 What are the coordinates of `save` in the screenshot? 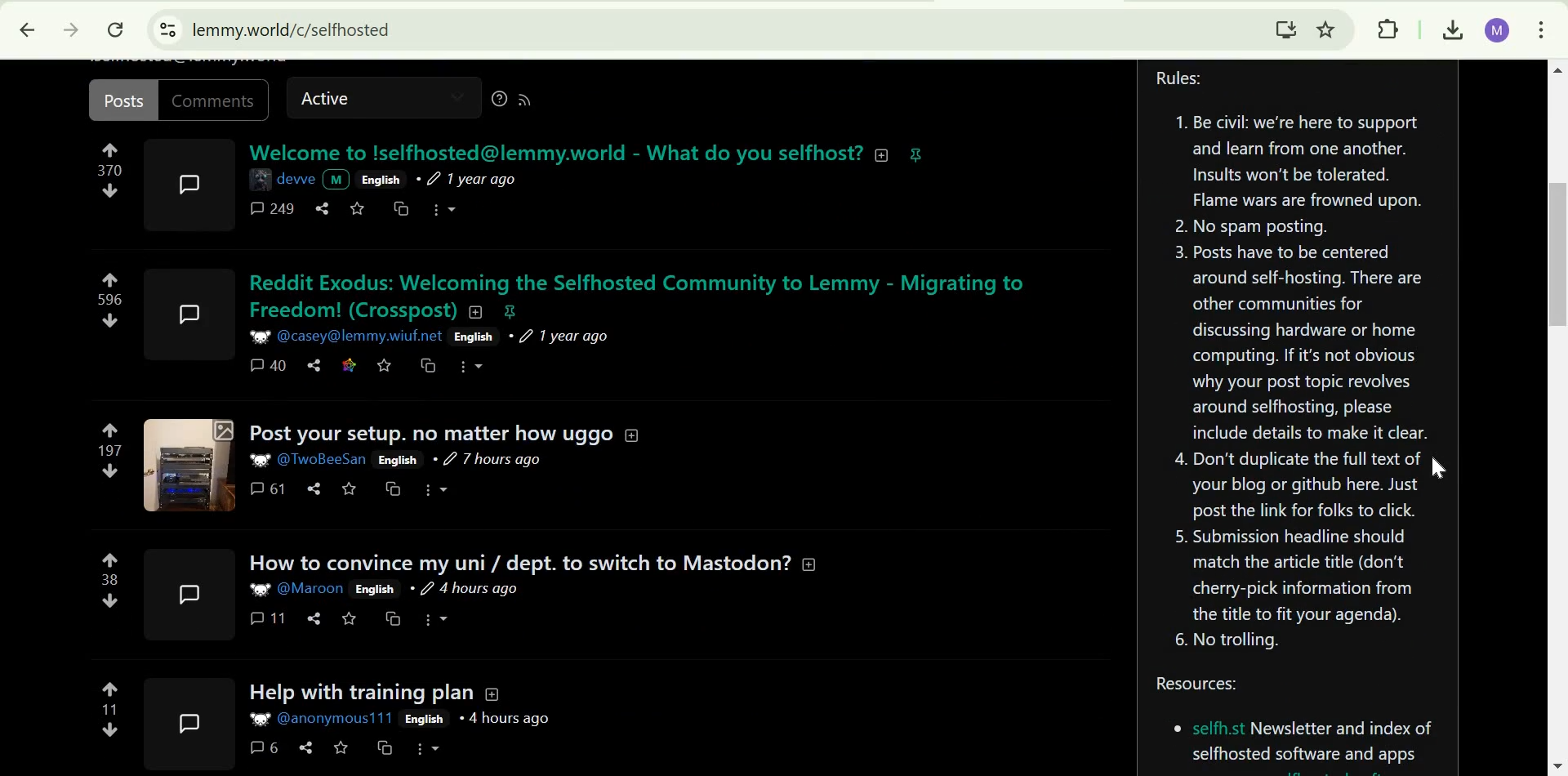 It's located at (350, 488).